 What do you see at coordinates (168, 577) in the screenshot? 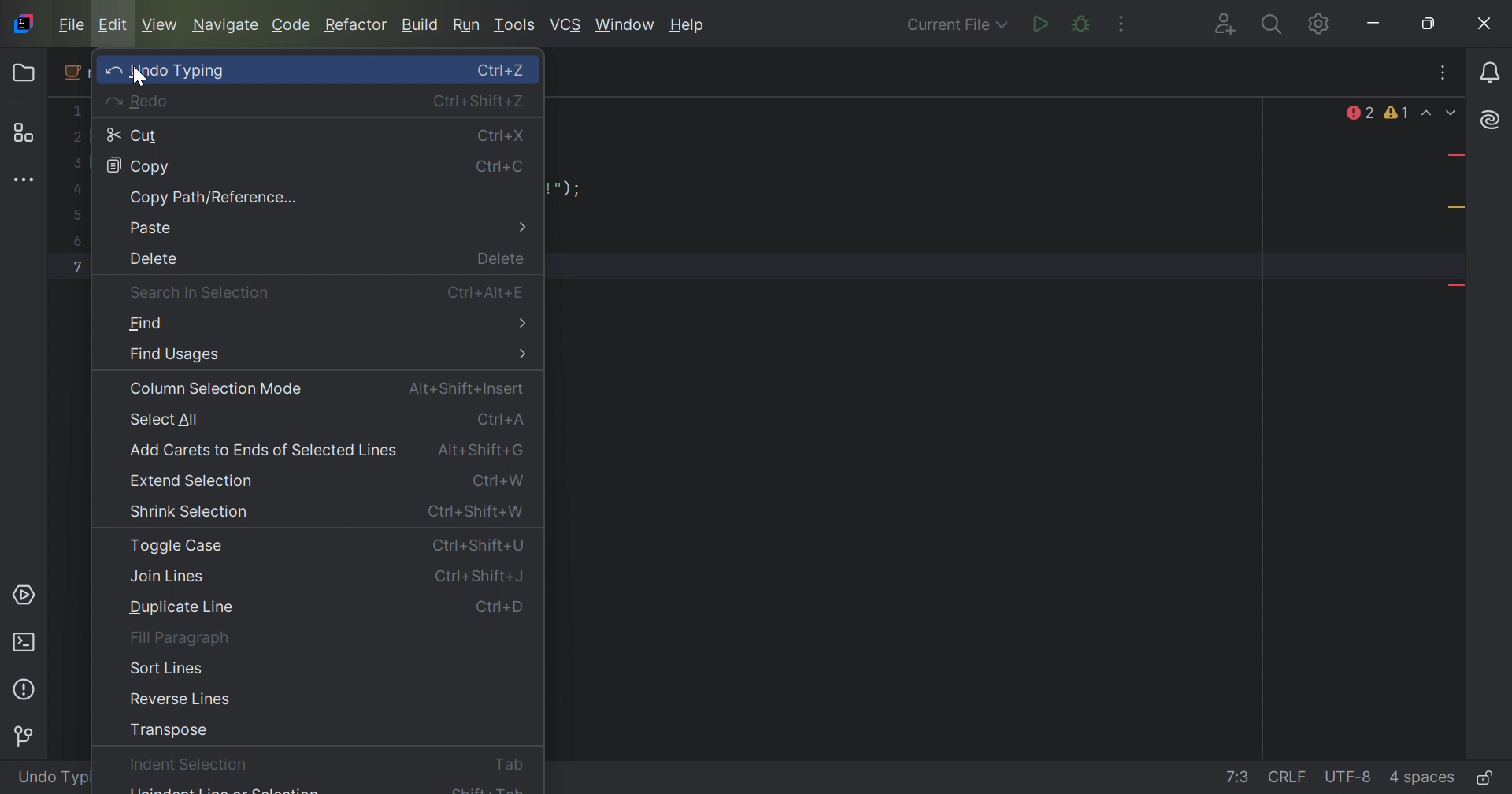
I see `Join Lines` at bounding box center [168, 577].